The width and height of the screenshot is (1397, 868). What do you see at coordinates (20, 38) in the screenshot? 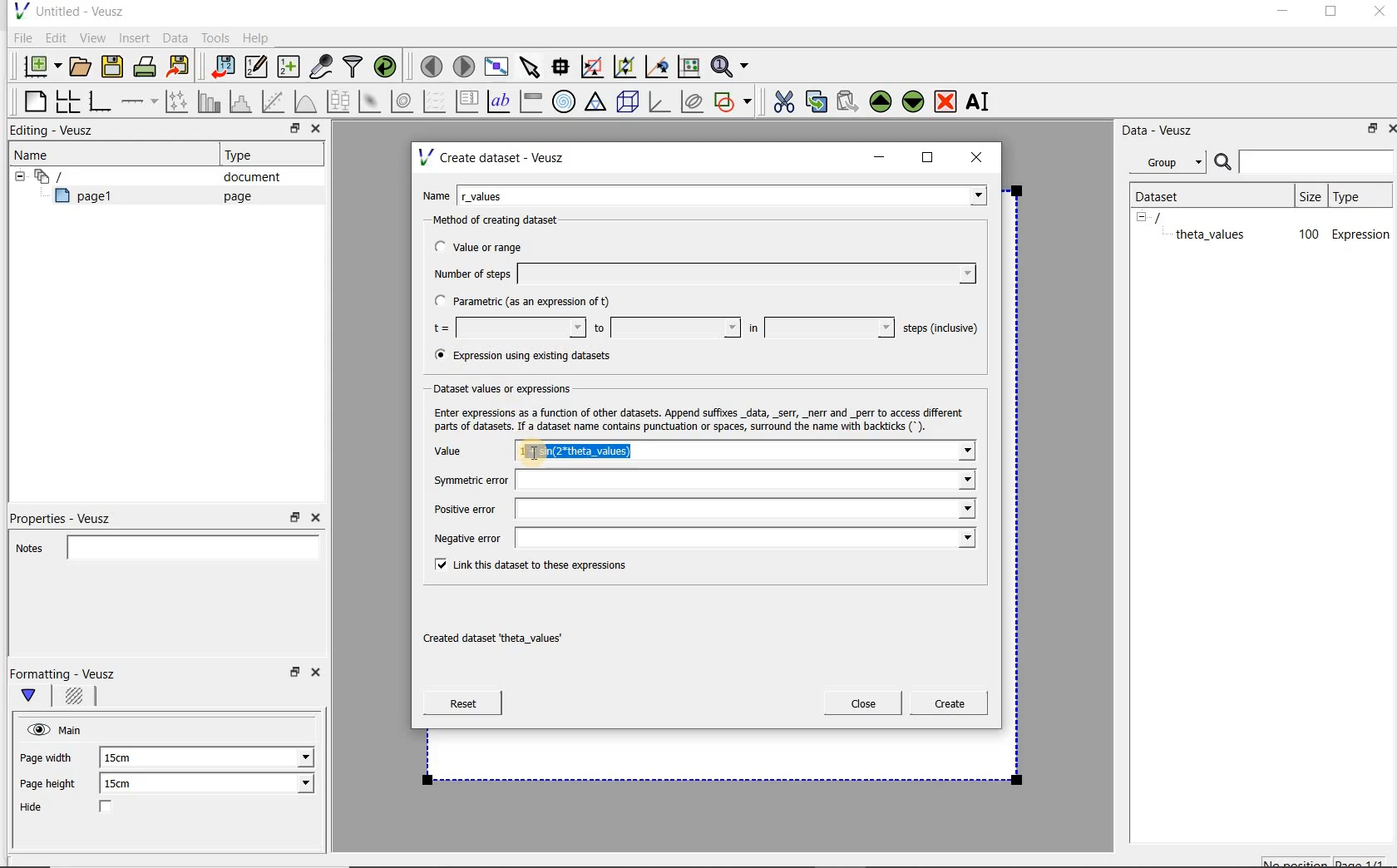
I see `File` at bounding box center [20, 38].